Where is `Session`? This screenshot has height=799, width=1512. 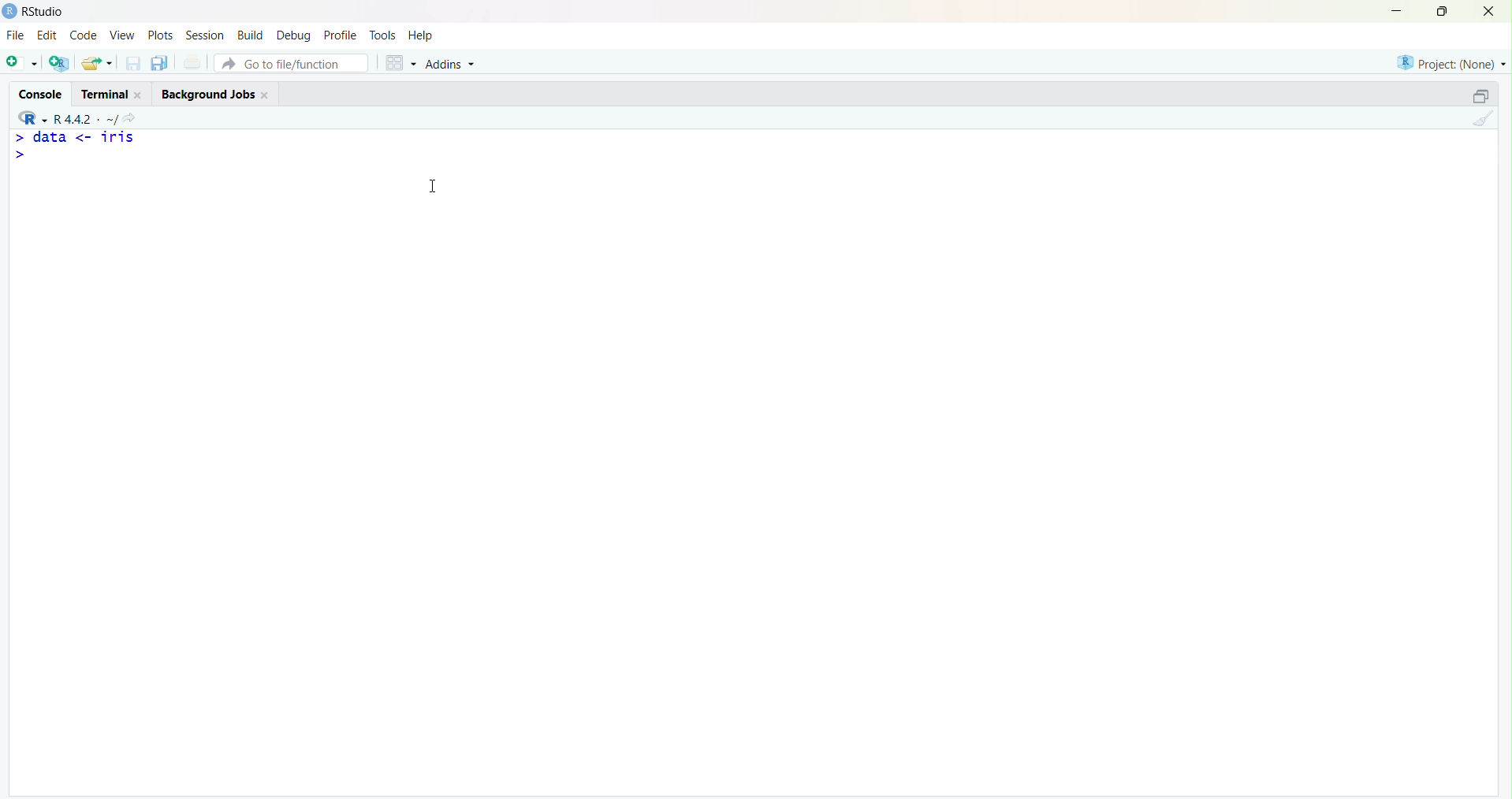
Session is located at coordinates (205, 36).